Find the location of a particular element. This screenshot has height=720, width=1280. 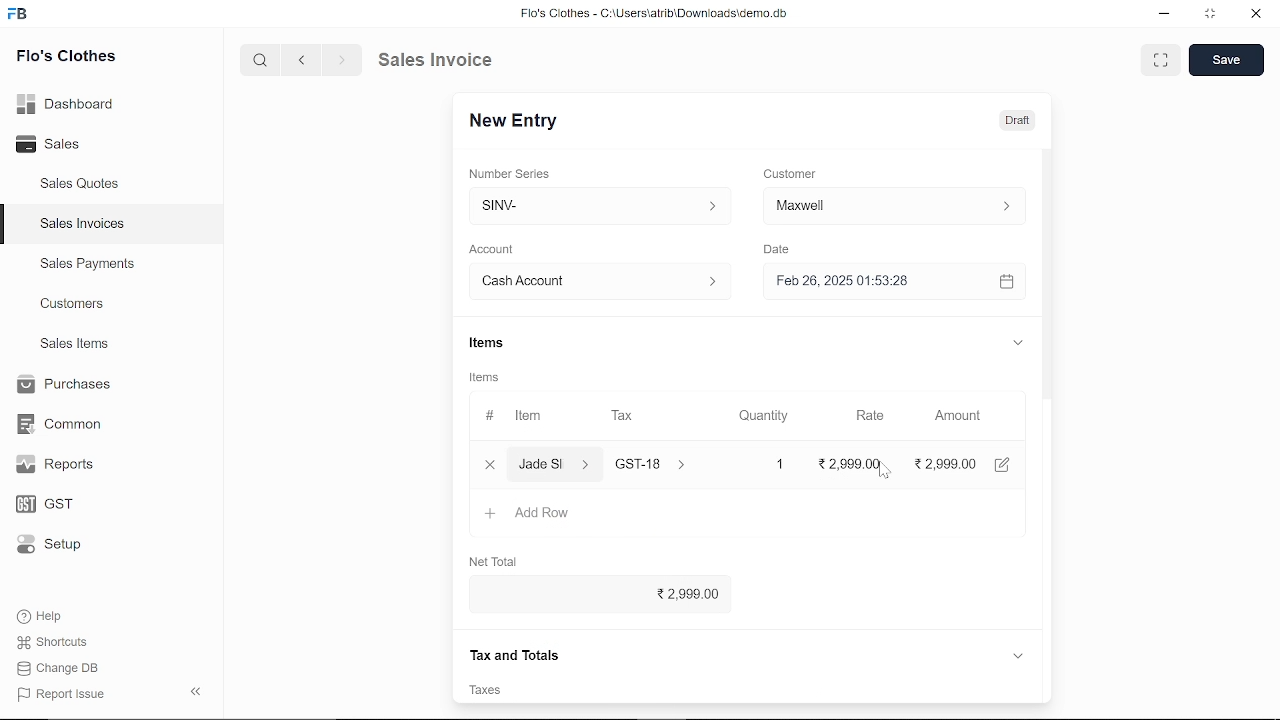

Account : is located at coordinates (598, 280).